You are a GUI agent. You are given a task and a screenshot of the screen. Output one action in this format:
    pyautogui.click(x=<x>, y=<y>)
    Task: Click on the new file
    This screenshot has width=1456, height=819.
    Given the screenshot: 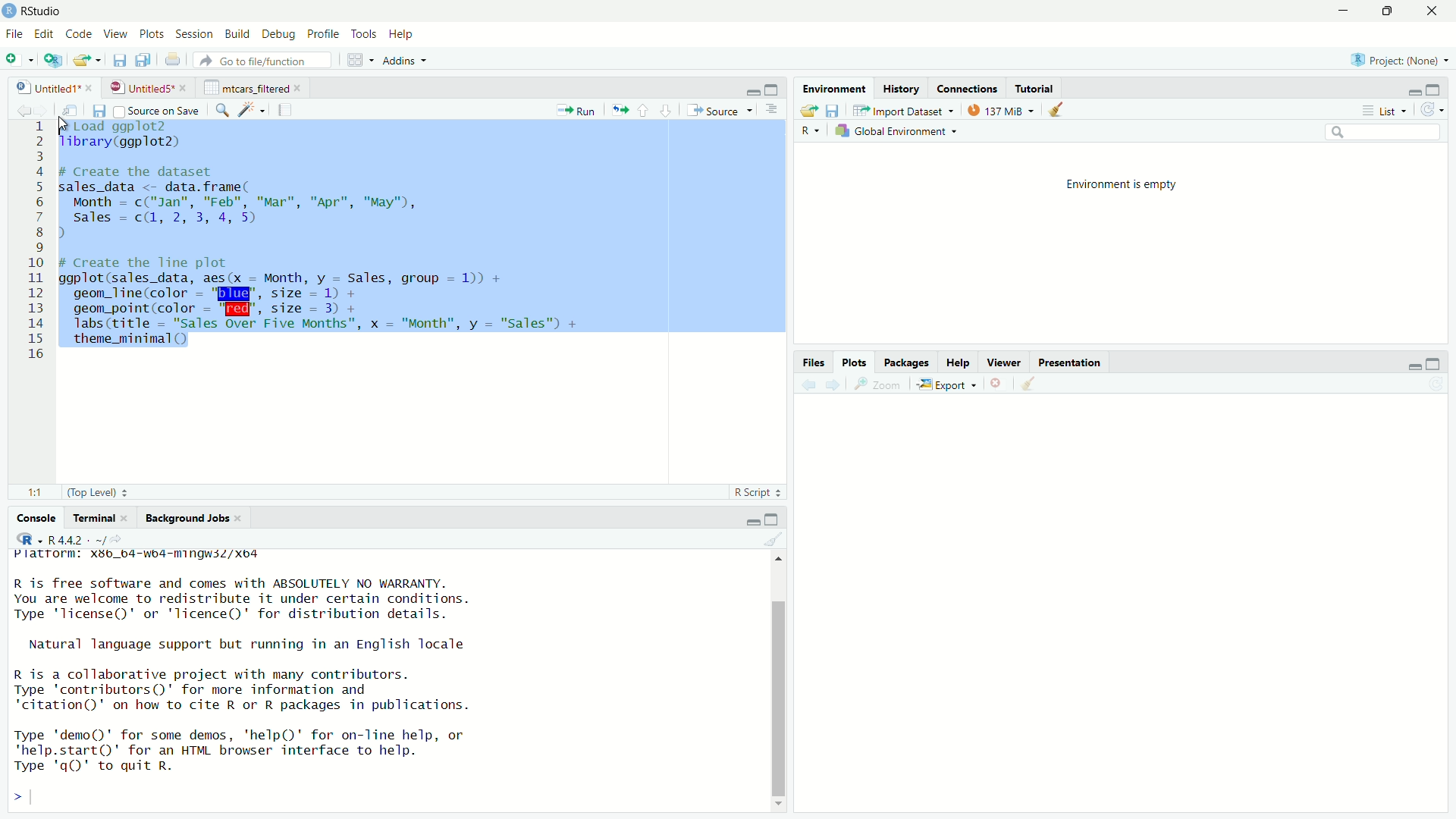 What is the action you would take?
    pyautogui.click(x=16, y=60)
    